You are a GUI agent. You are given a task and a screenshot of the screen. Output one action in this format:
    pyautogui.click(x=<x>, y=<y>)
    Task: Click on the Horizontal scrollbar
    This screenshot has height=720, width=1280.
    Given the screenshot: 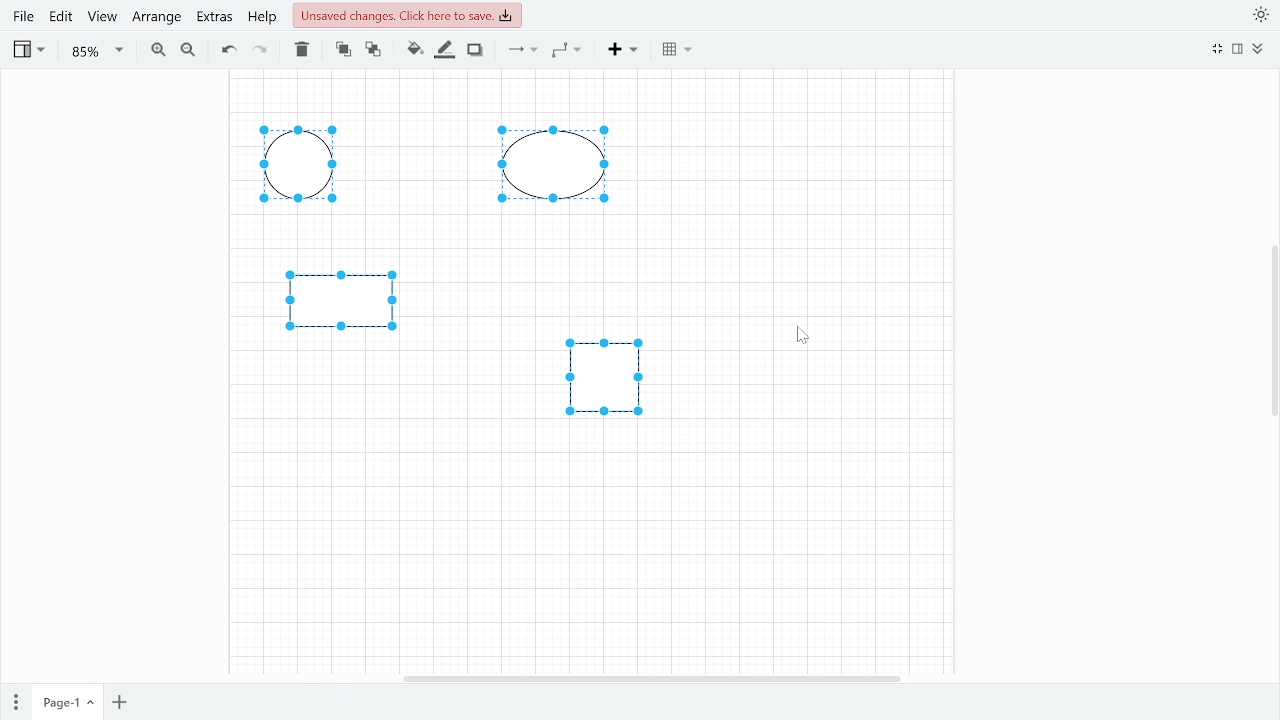 What is the action you would take?
    pyautogui.click(x=652, y=677)
    